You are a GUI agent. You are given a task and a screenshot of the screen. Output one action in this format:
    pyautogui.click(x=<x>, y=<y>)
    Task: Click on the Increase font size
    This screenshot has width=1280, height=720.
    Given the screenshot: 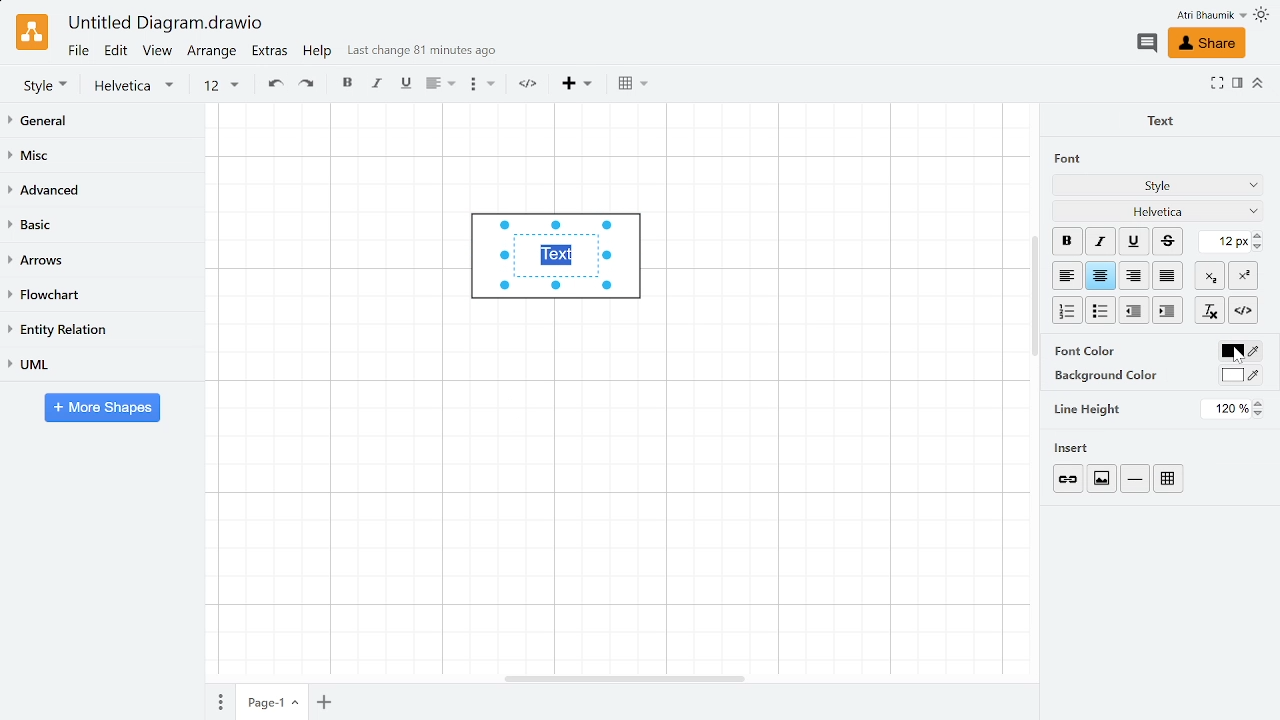 What is the action you would take?
    pyautogui.click(x=1259, y=235)
    